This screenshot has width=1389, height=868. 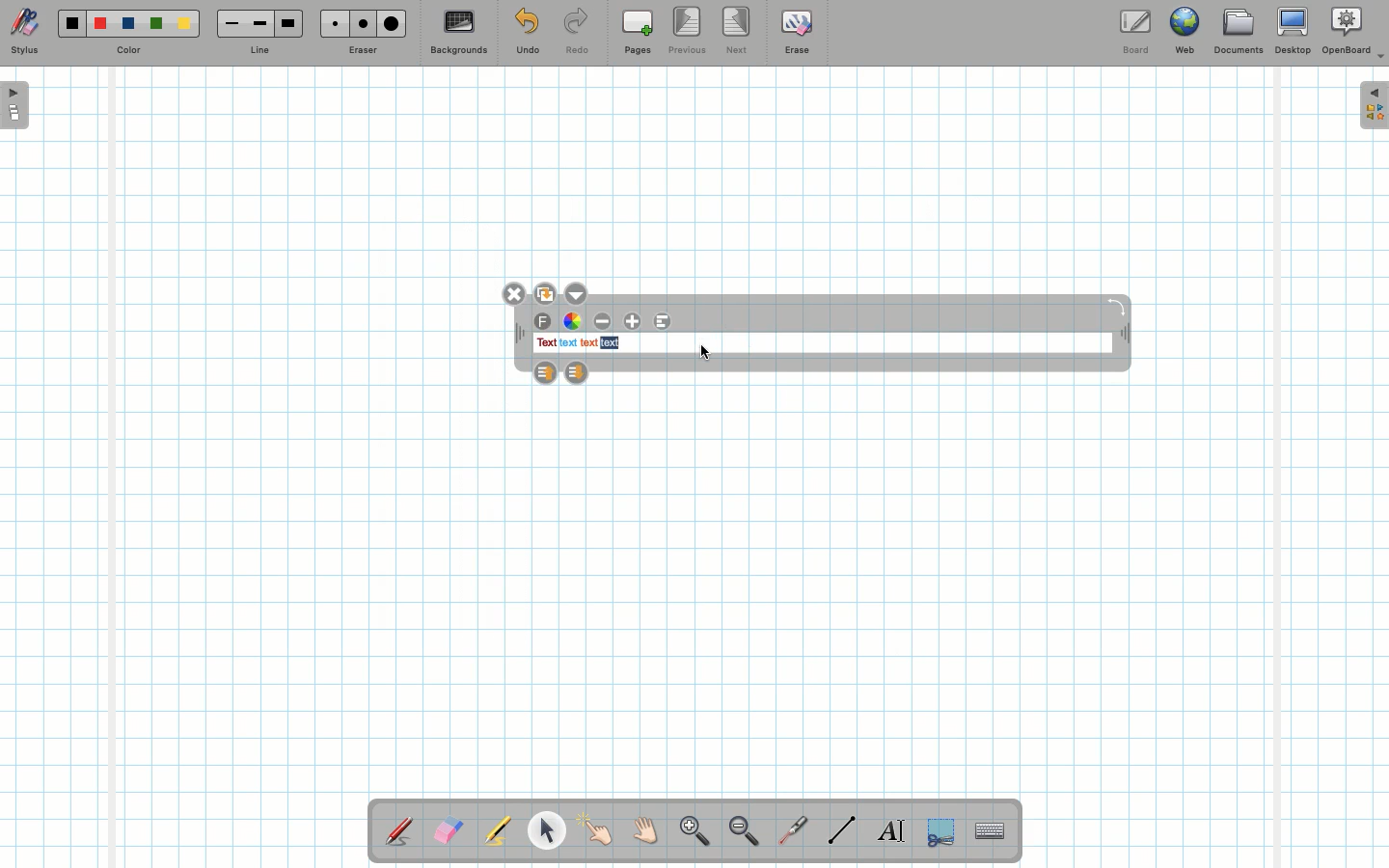 I want to click on Small line, so click(x=229, y=24).